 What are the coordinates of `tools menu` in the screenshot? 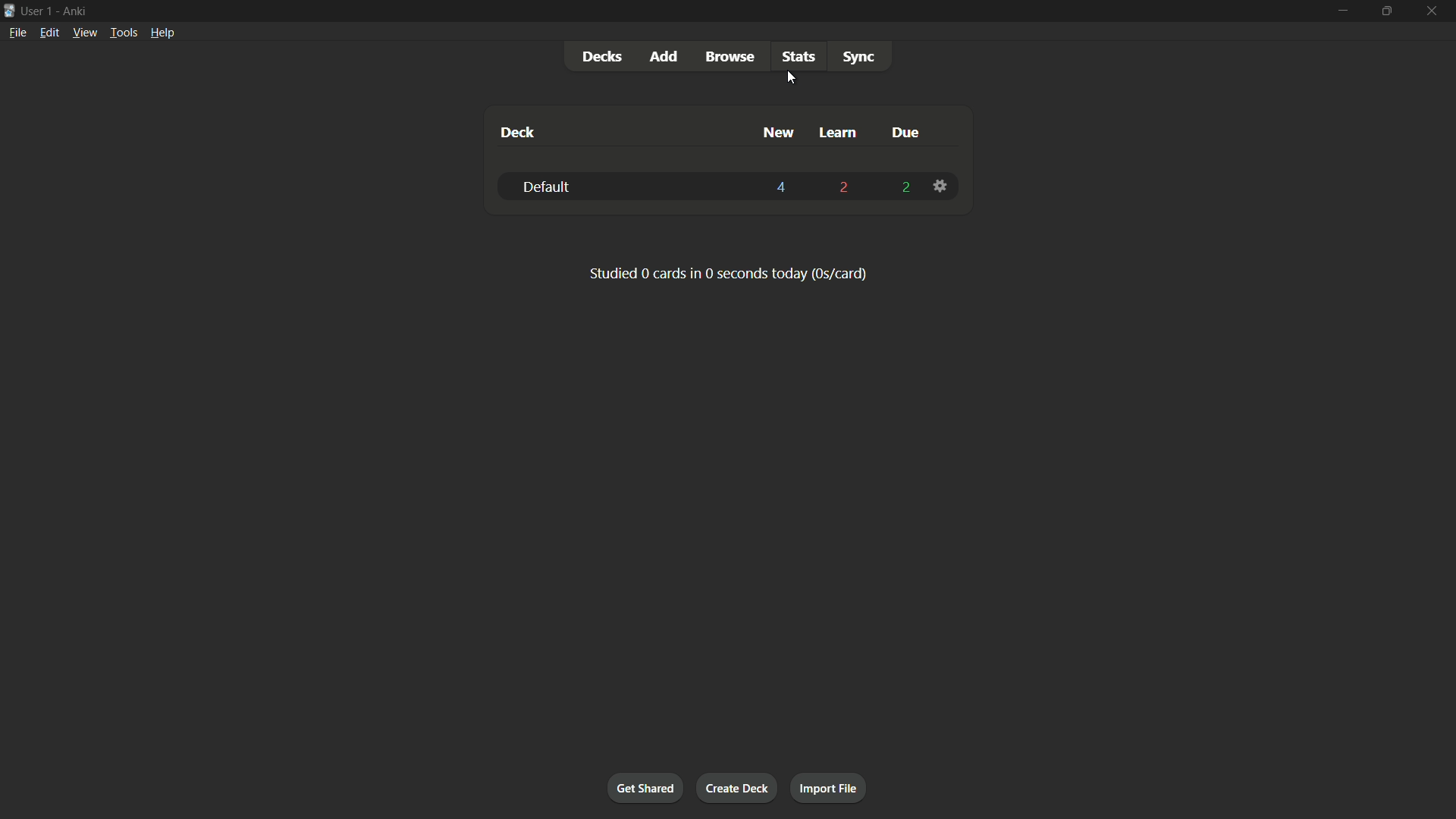 It's located at (123, 33).